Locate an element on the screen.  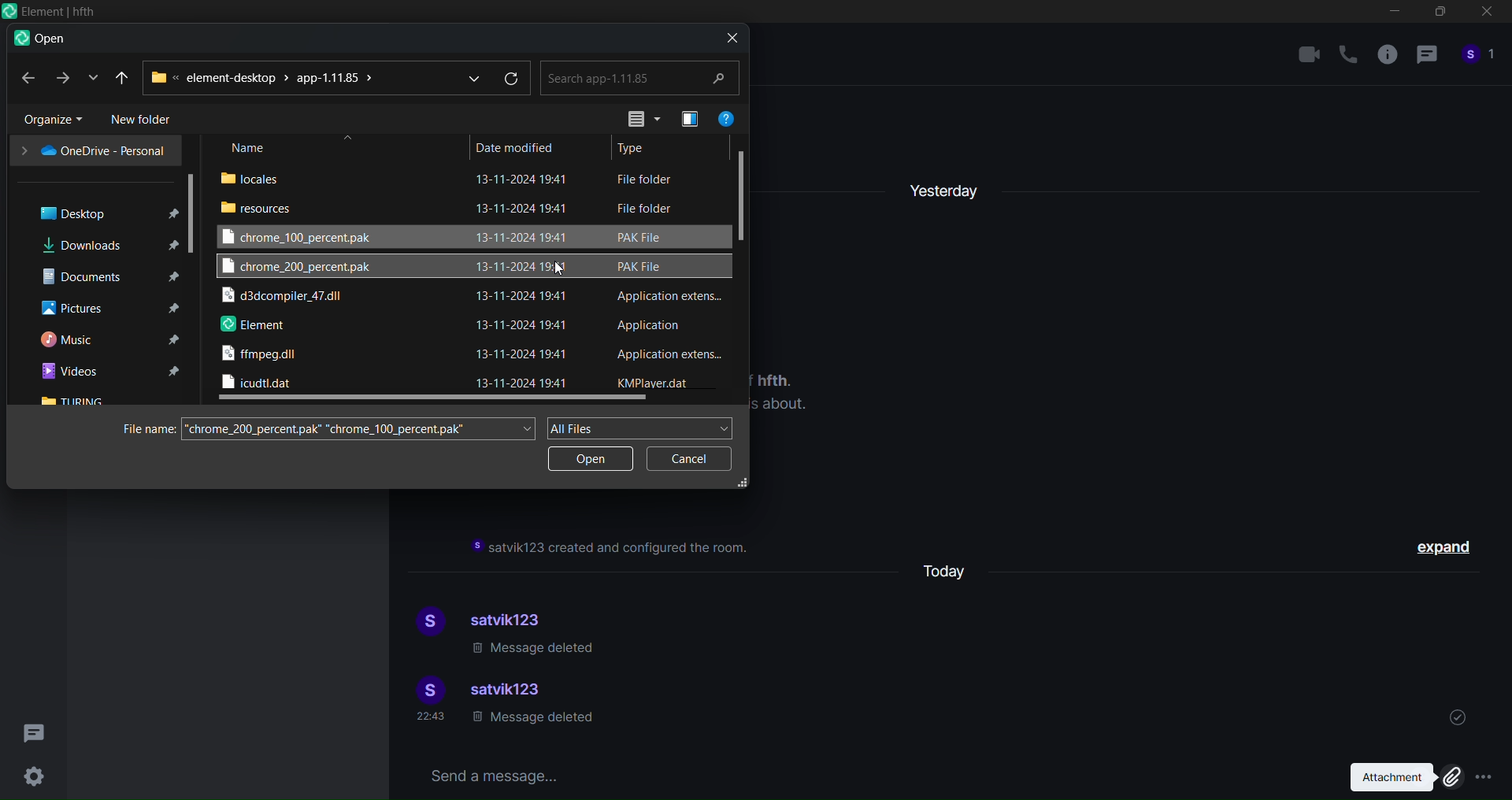
help is located at coordinates (727, 116).